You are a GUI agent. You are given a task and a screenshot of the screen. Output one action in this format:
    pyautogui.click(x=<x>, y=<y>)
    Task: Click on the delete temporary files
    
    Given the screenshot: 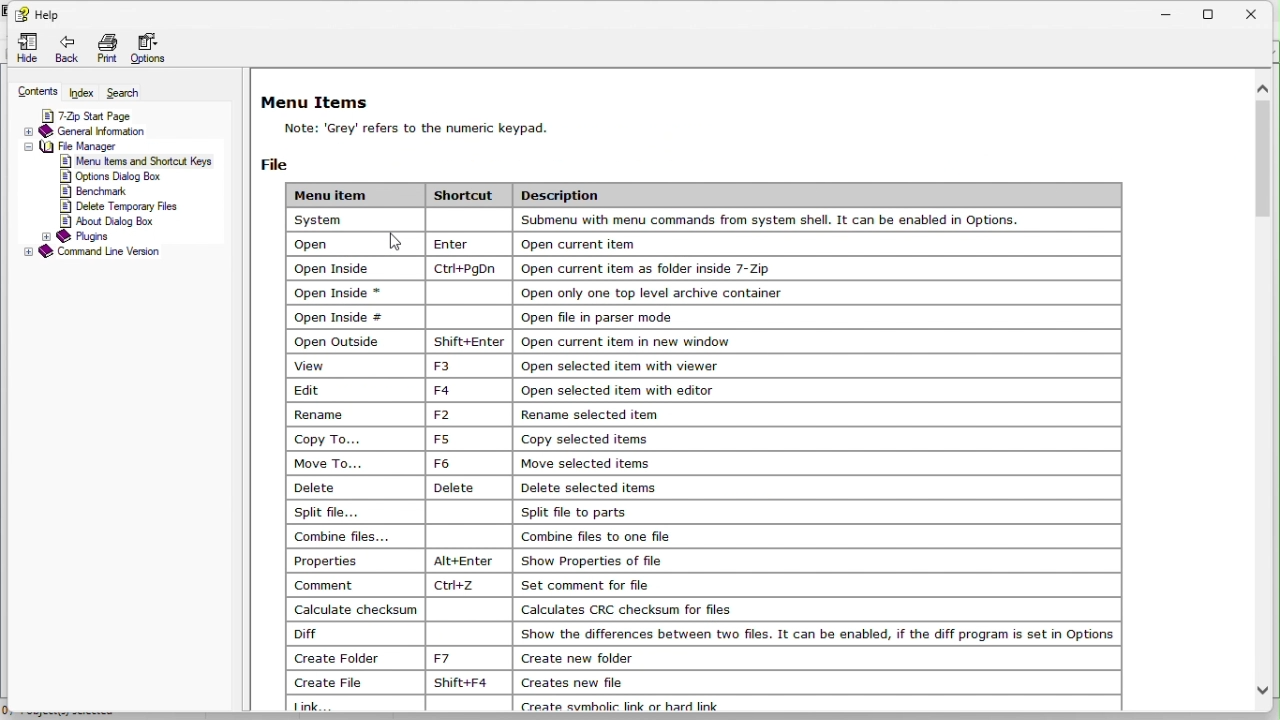 What is the action you would take?
    pyautogui.click(x=121, y=207)
    